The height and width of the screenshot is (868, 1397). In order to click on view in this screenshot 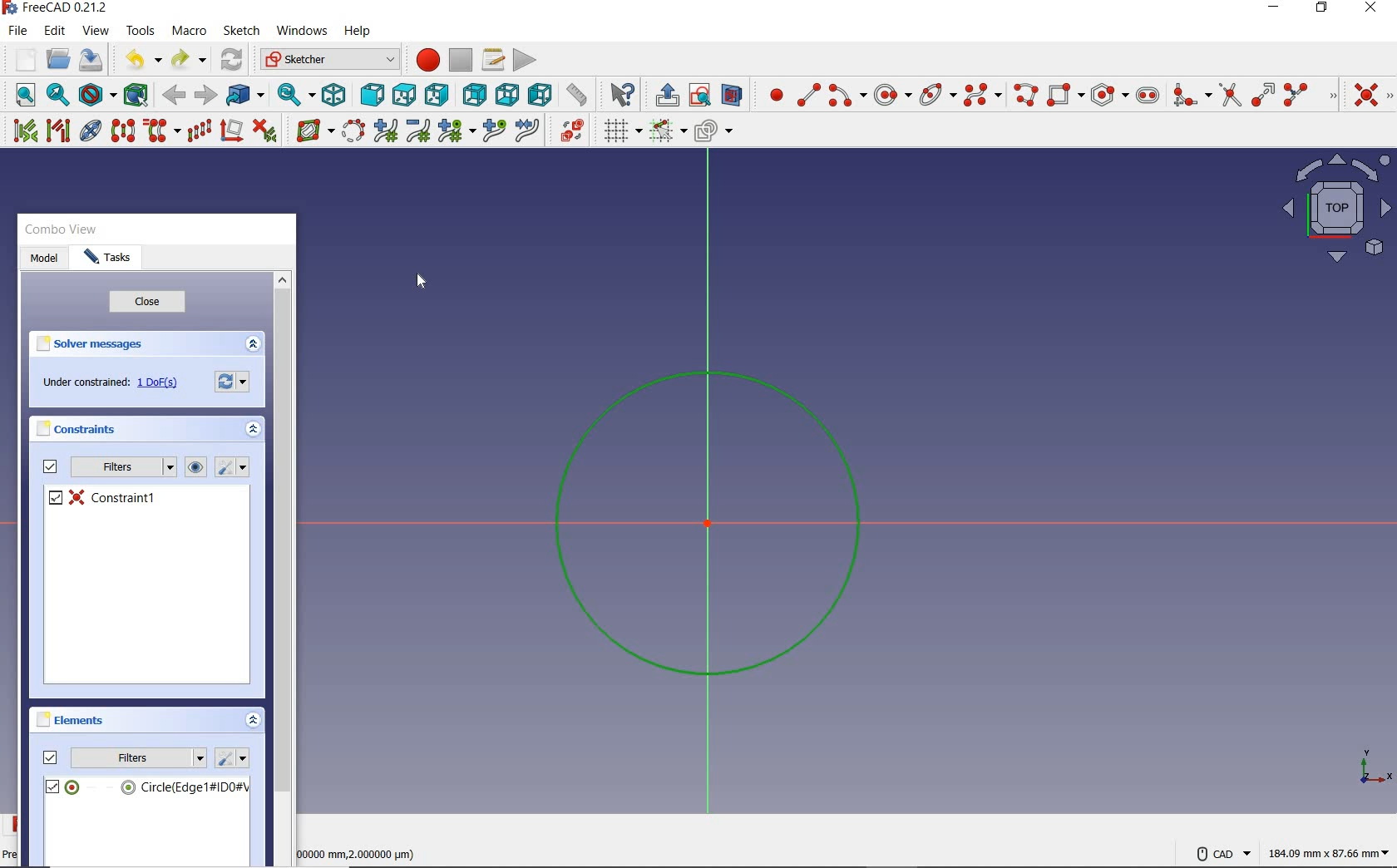, I will do `click(95, 32)`.